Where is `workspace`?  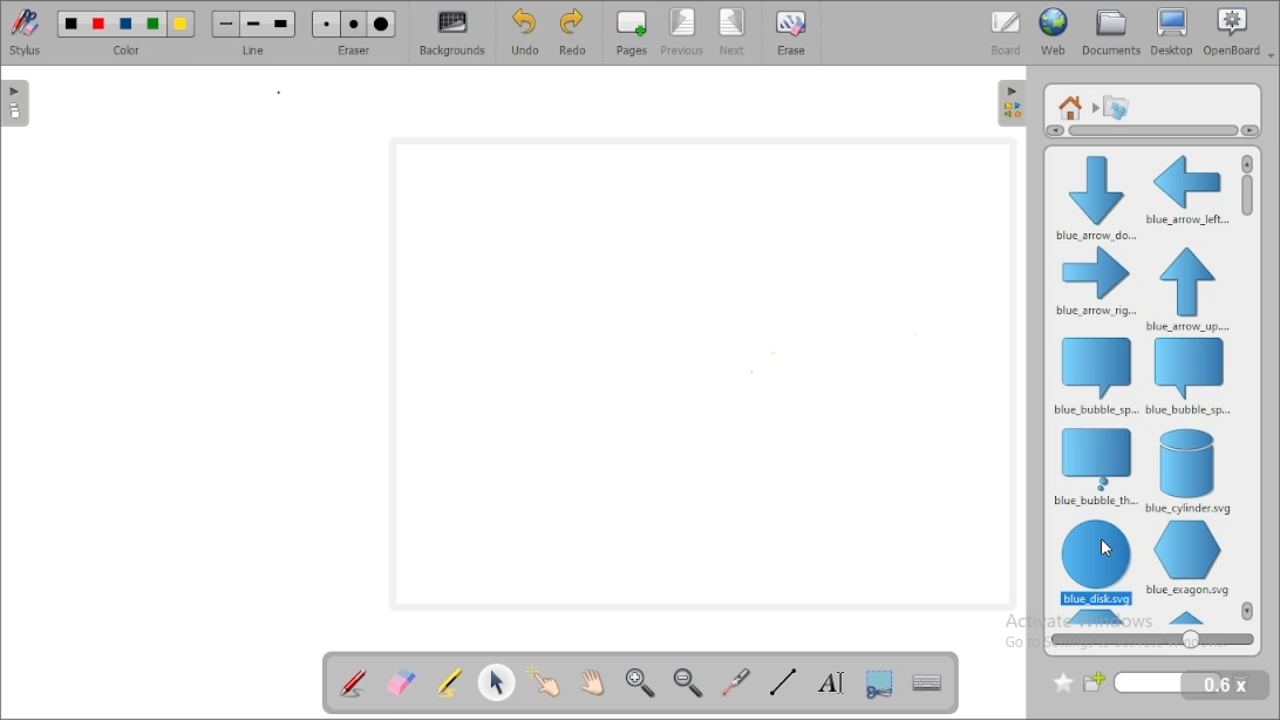
workspace is located at coordinates (702, 373).